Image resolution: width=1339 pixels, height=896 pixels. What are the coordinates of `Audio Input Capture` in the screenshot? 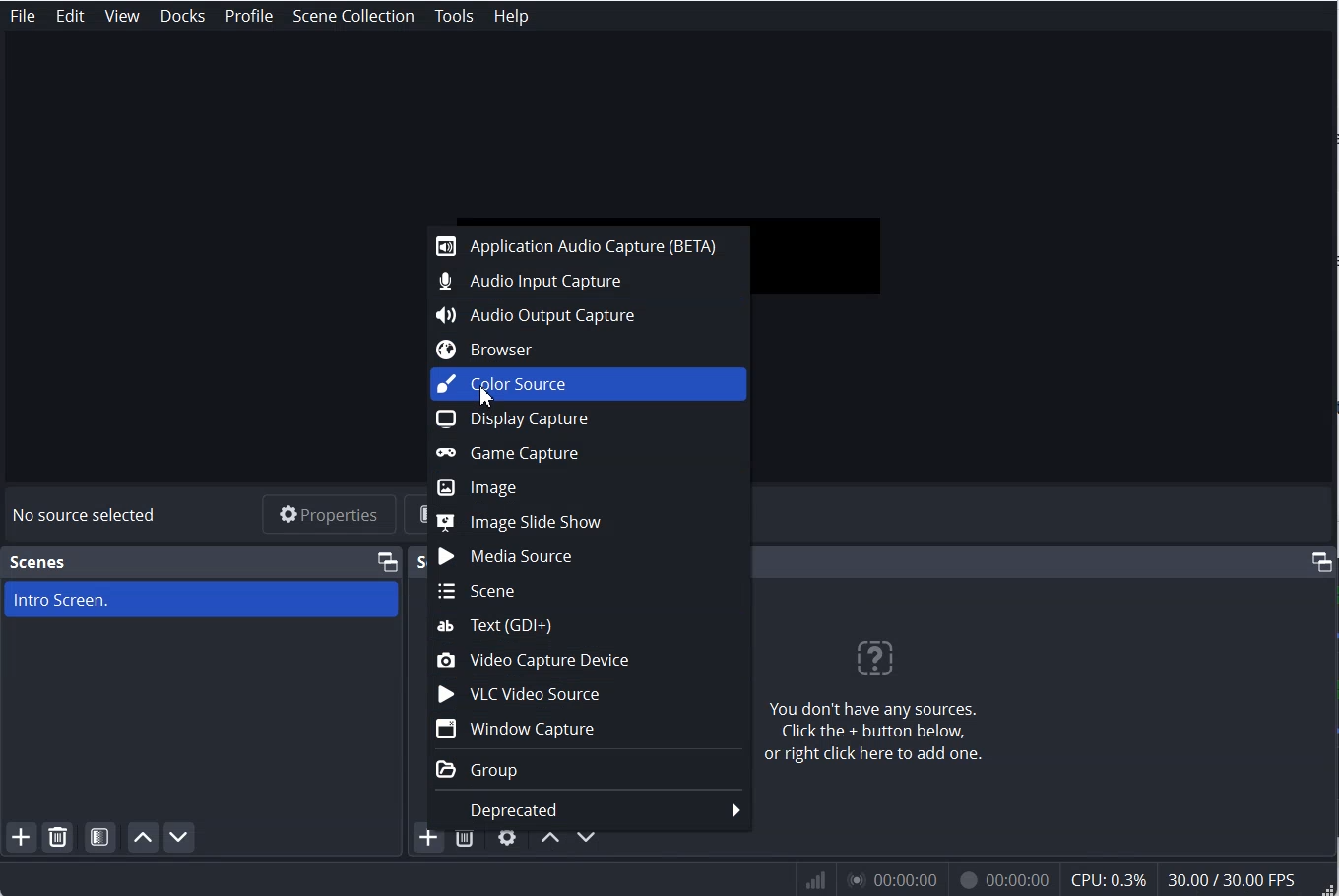 It's located at (588, 282).